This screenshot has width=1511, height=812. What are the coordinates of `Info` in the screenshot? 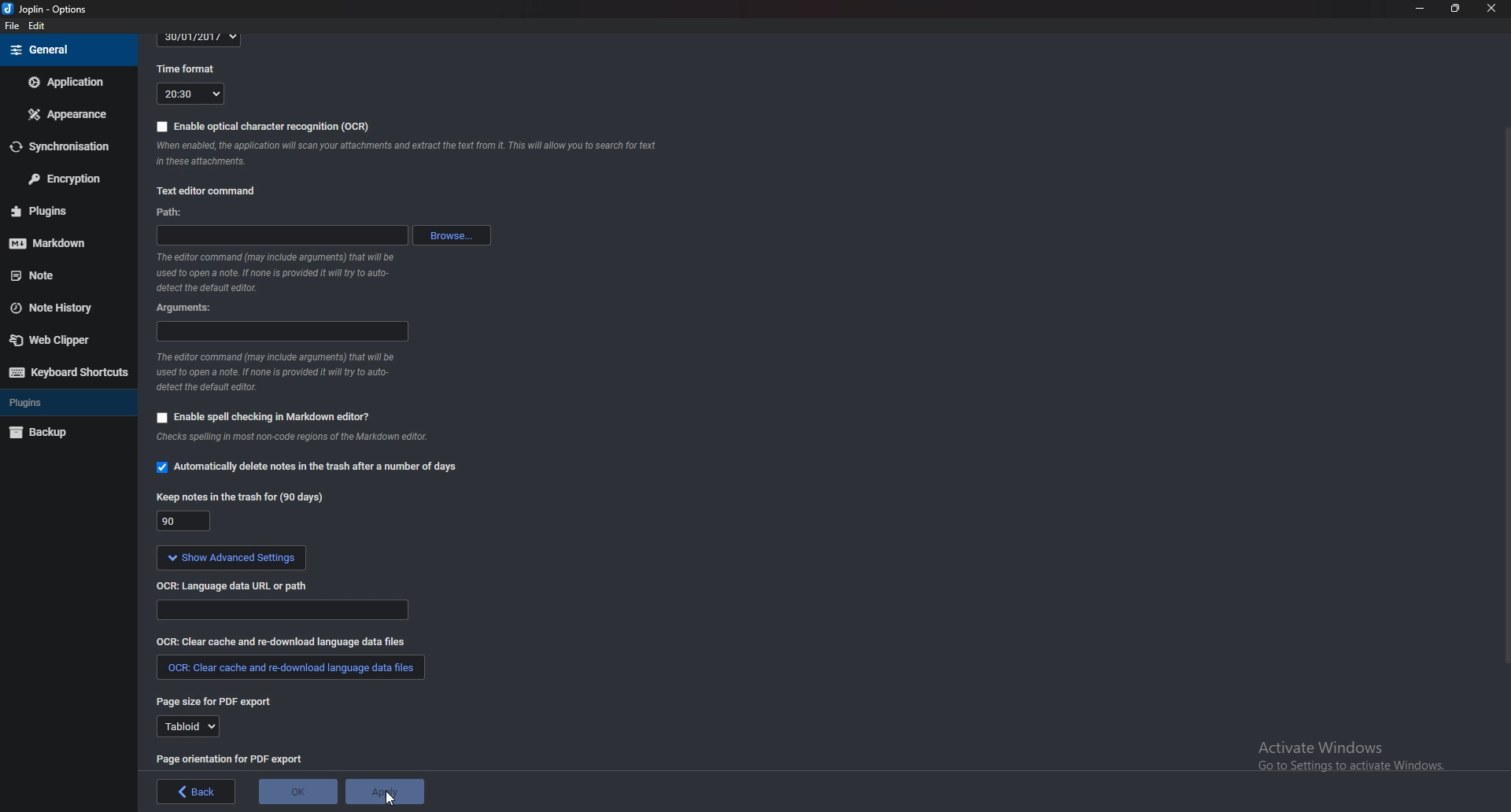 It's located at (275, 372).